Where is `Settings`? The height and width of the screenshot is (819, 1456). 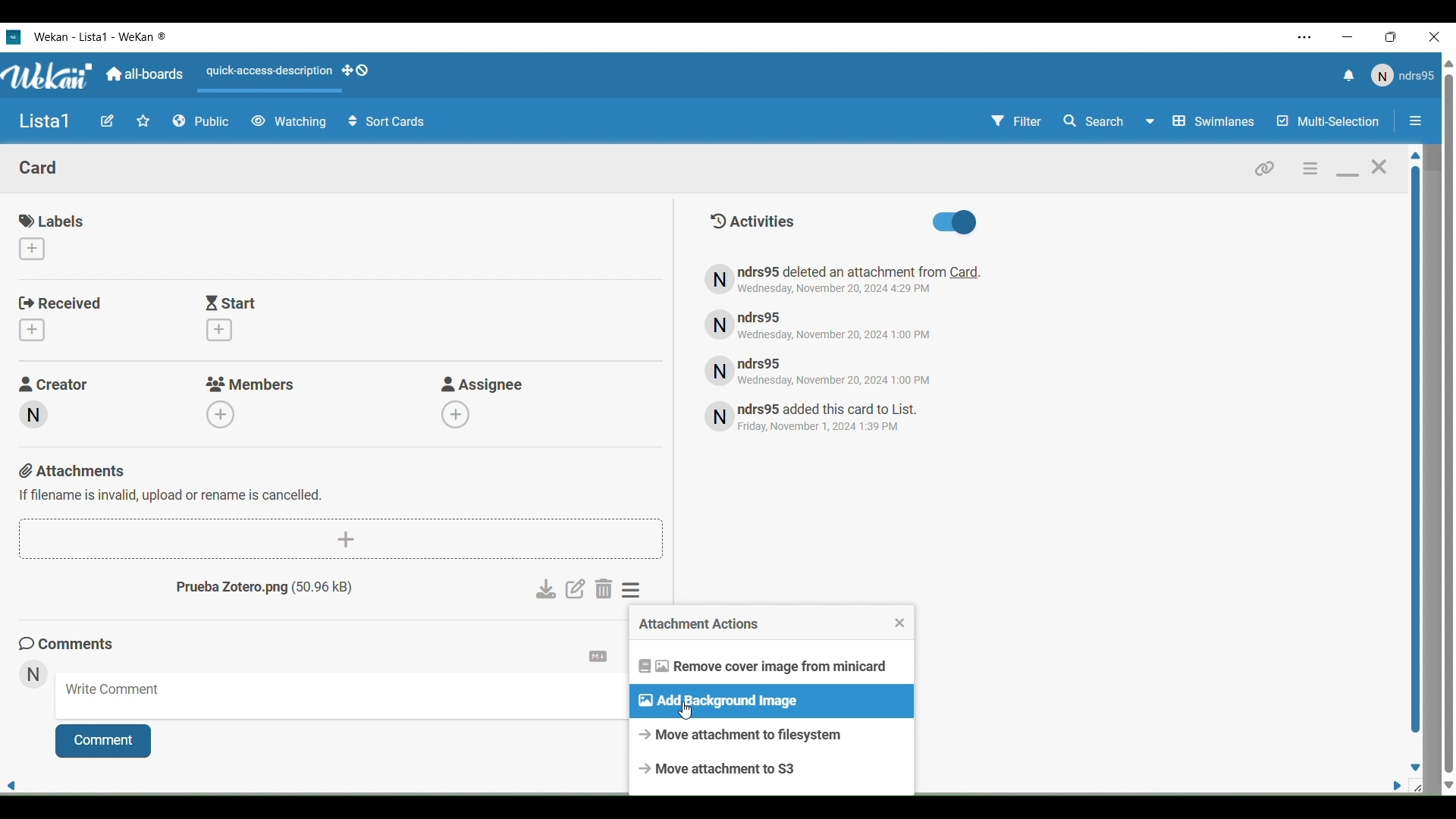 Settings is located at coordinates (599, 656).